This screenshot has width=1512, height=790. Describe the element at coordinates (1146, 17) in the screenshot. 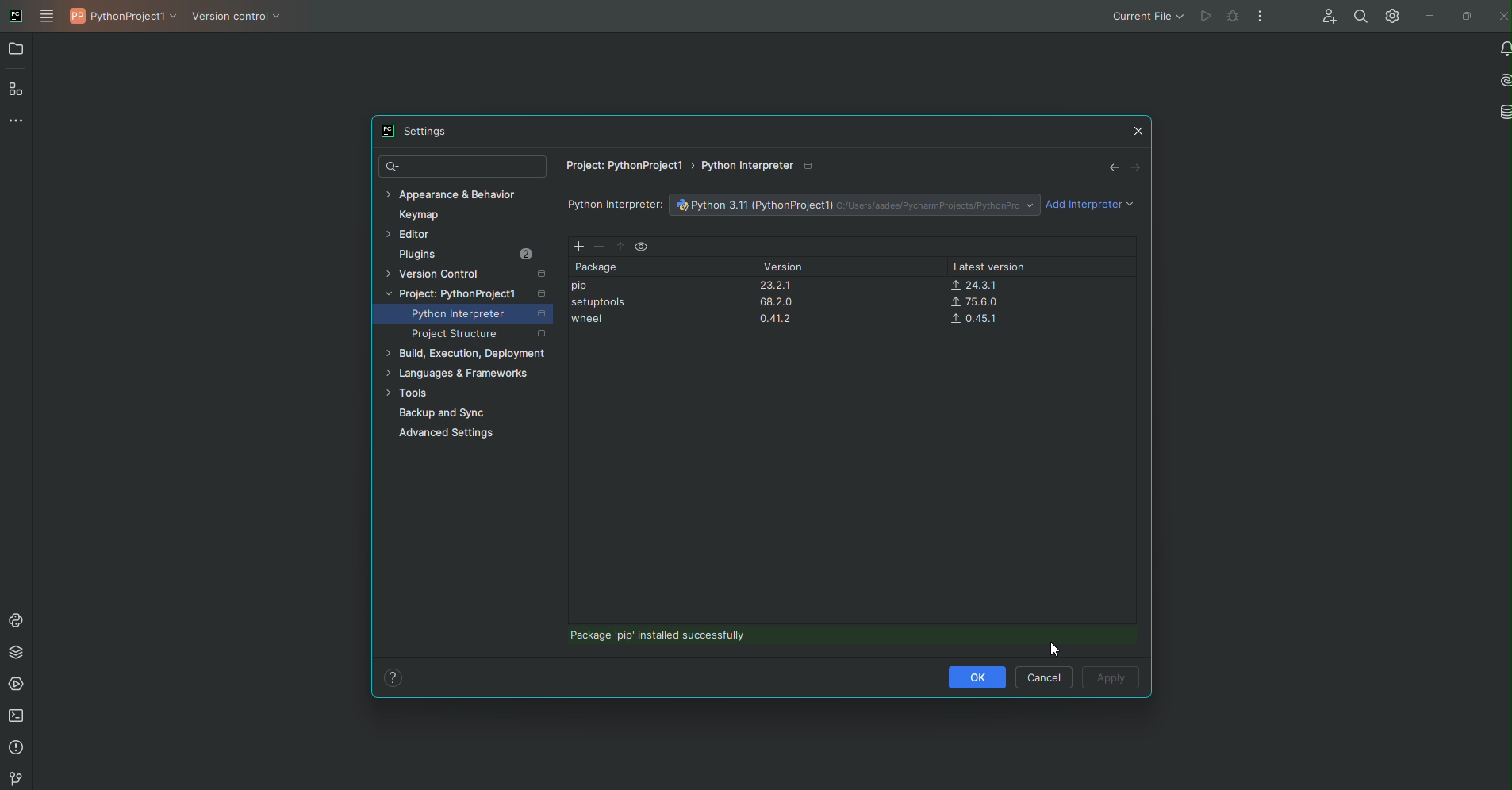

I see `Current file` at that location.